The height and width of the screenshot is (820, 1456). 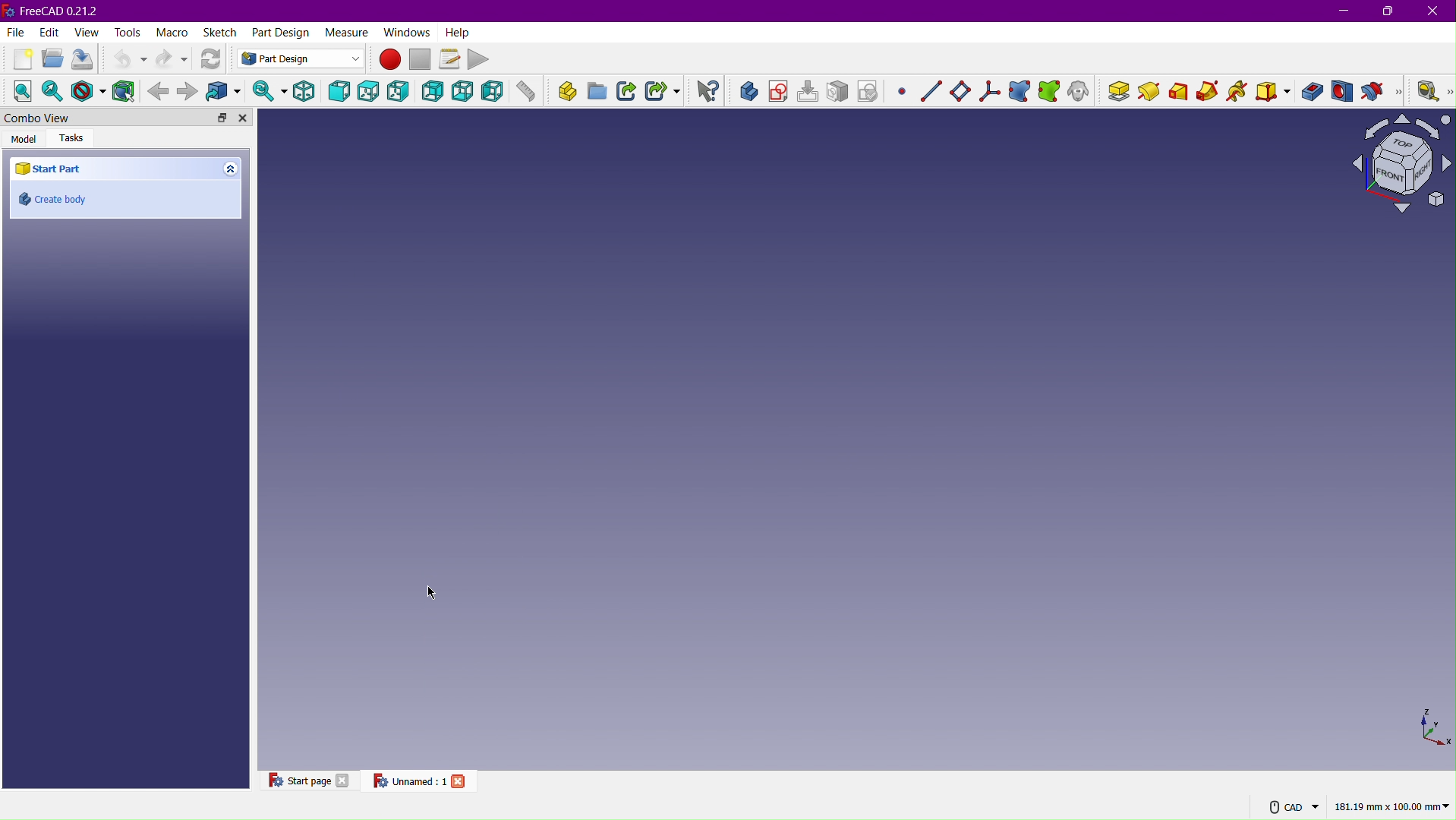 What do you see at coordinates (745, 90) in the screenshot?
I see `Create Body` at bounding box center [745, 90].